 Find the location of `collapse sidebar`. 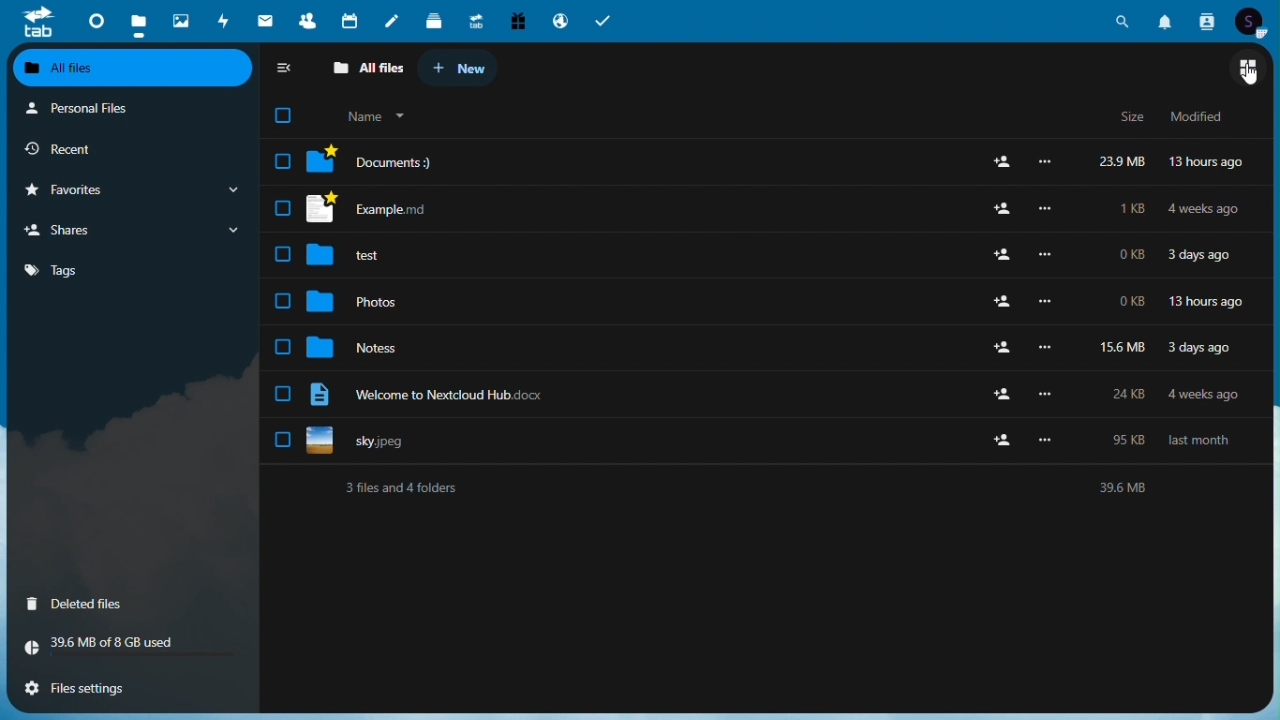

collapse sidebar is located at coordinates (286, 67).